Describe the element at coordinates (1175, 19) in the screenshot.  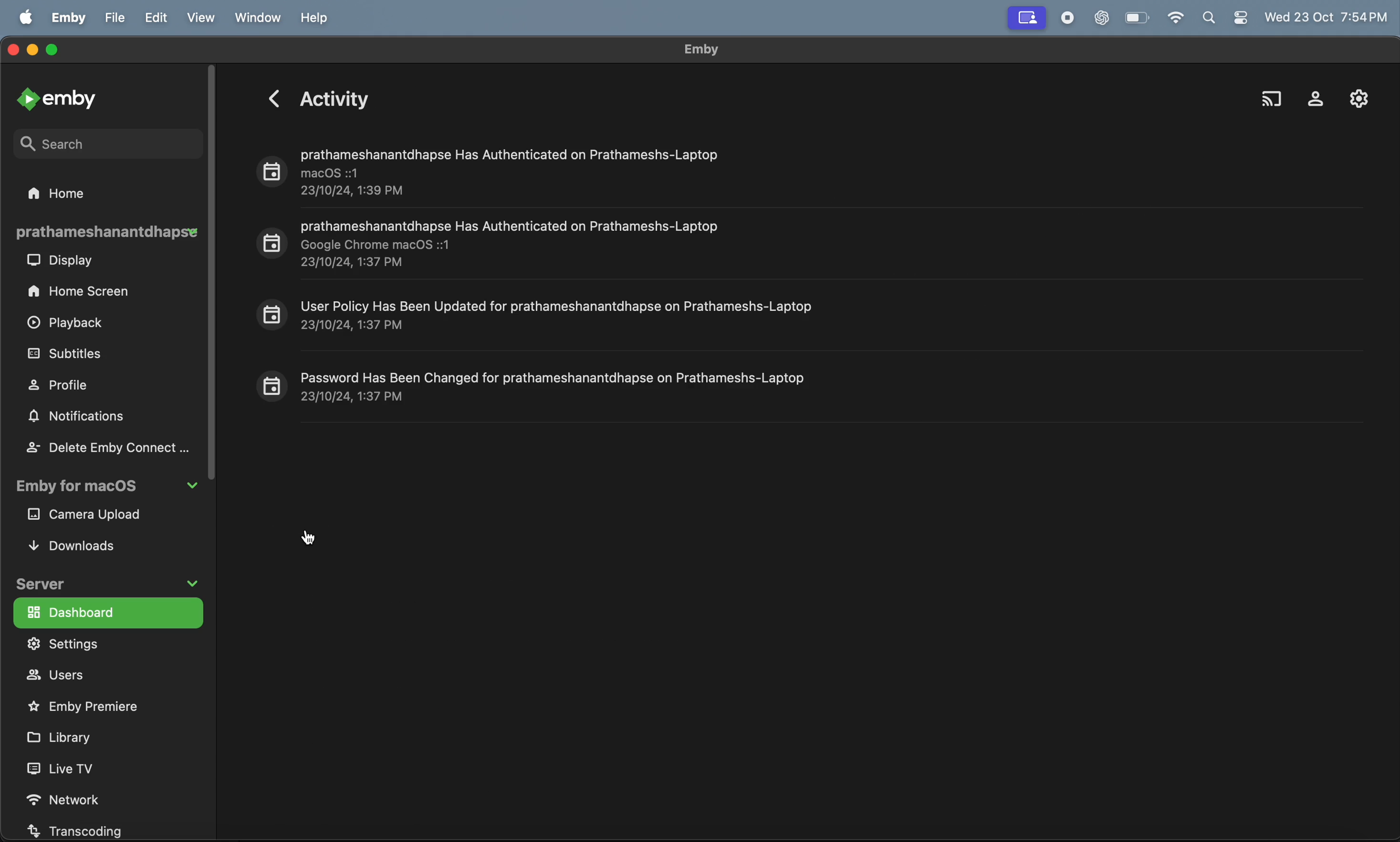
I see `wifi` at that location.